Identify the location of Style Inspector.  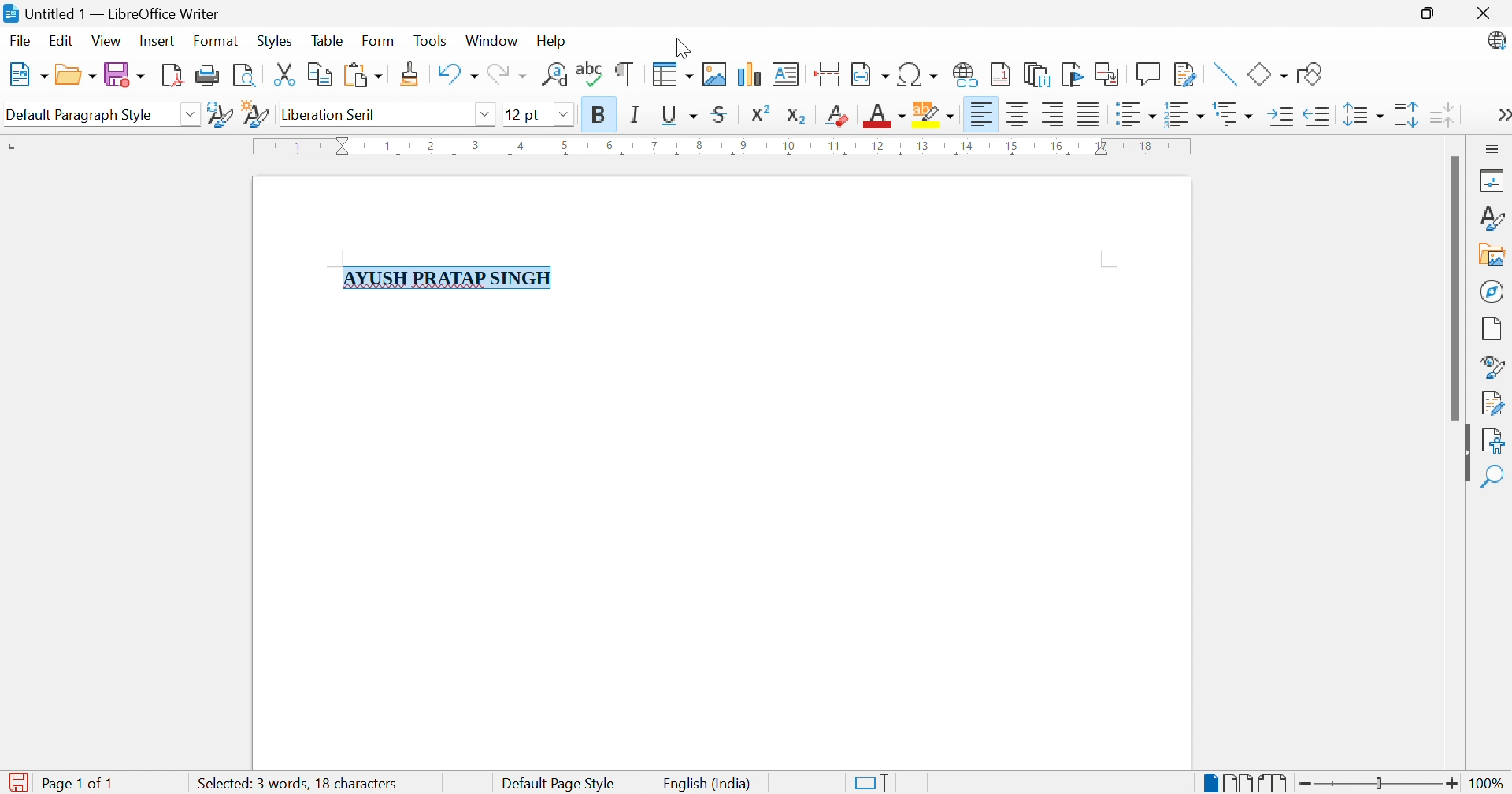
(1494, 366).